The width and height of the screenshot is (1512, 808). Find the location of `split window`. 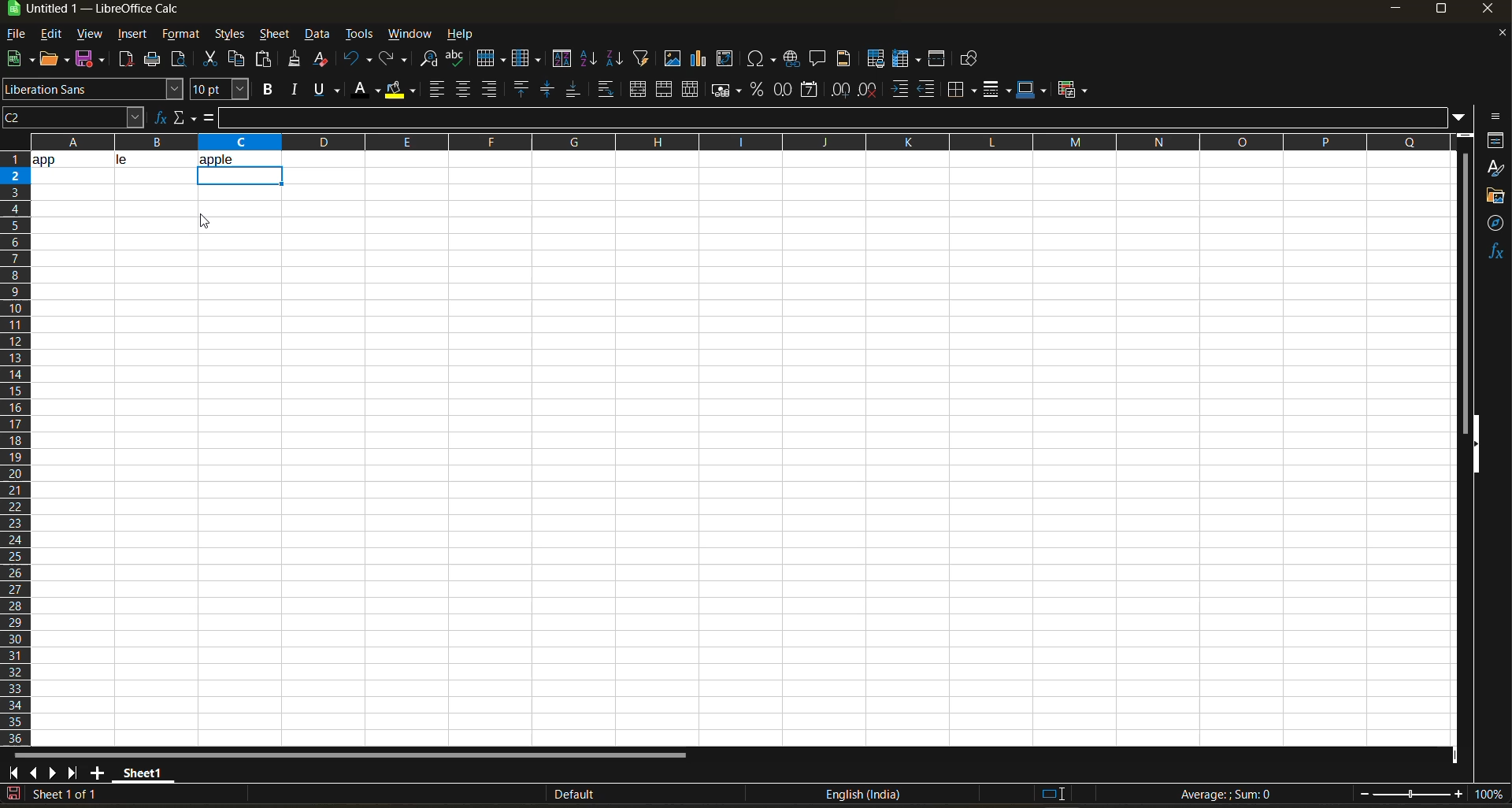

split window is located at coordinates (939, 60).